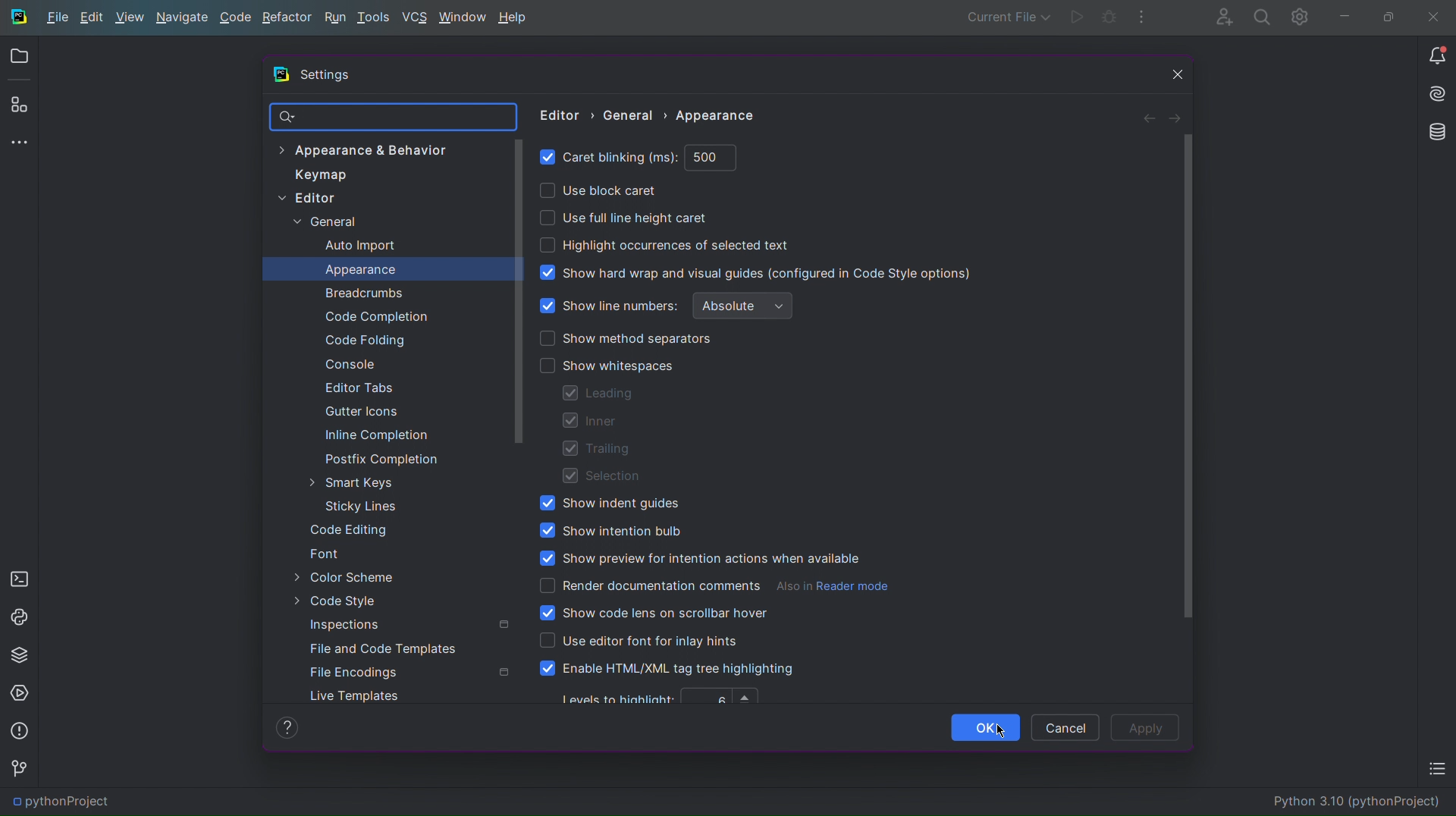 This screenshot has height=816, width=1456. Describe the element at coordinates (335, 17) in the screenshot. I see `Run` at that location.